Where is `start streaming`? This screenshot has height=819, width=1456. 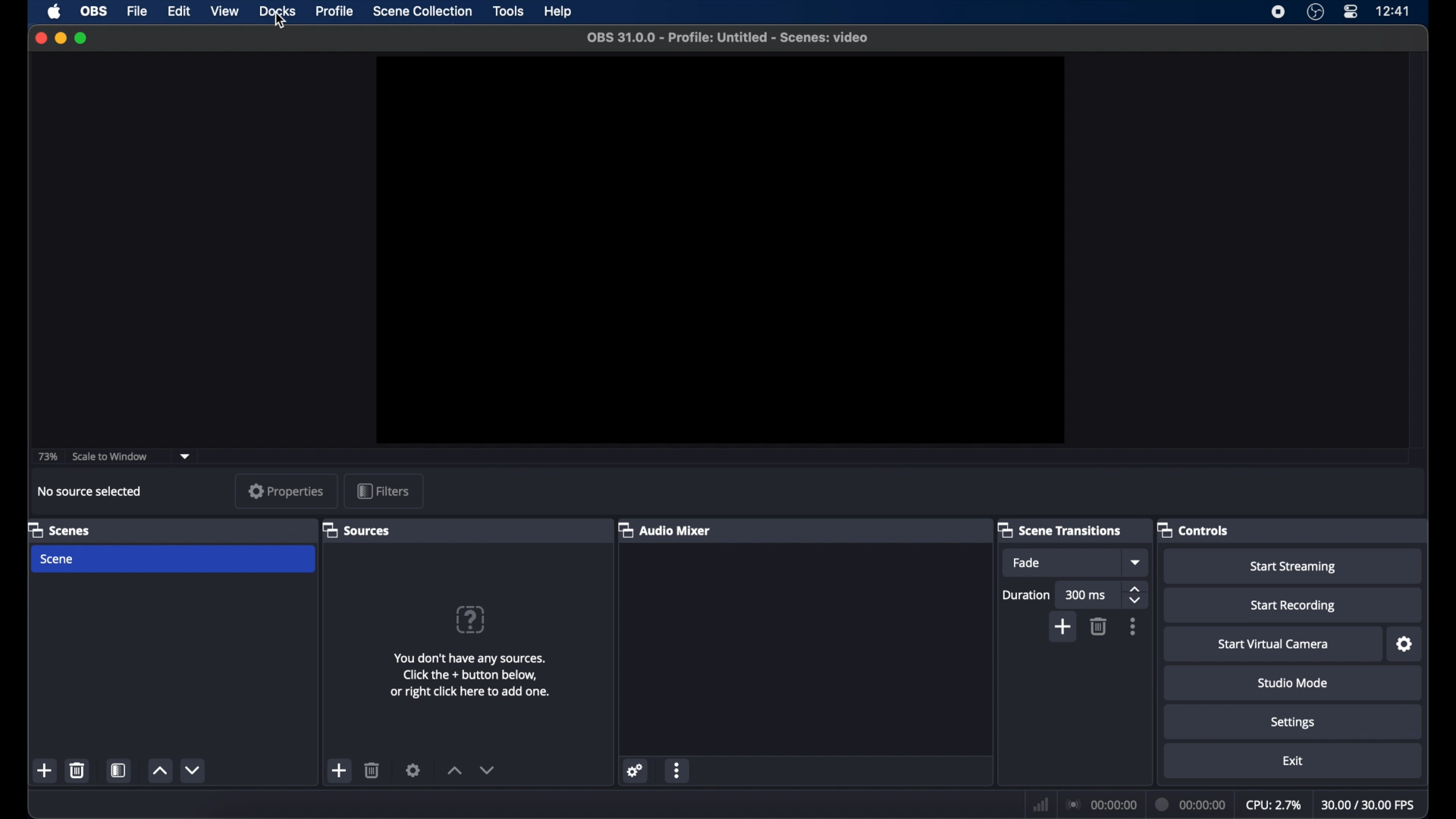 start streaming is located at coordinates (1293, 566).